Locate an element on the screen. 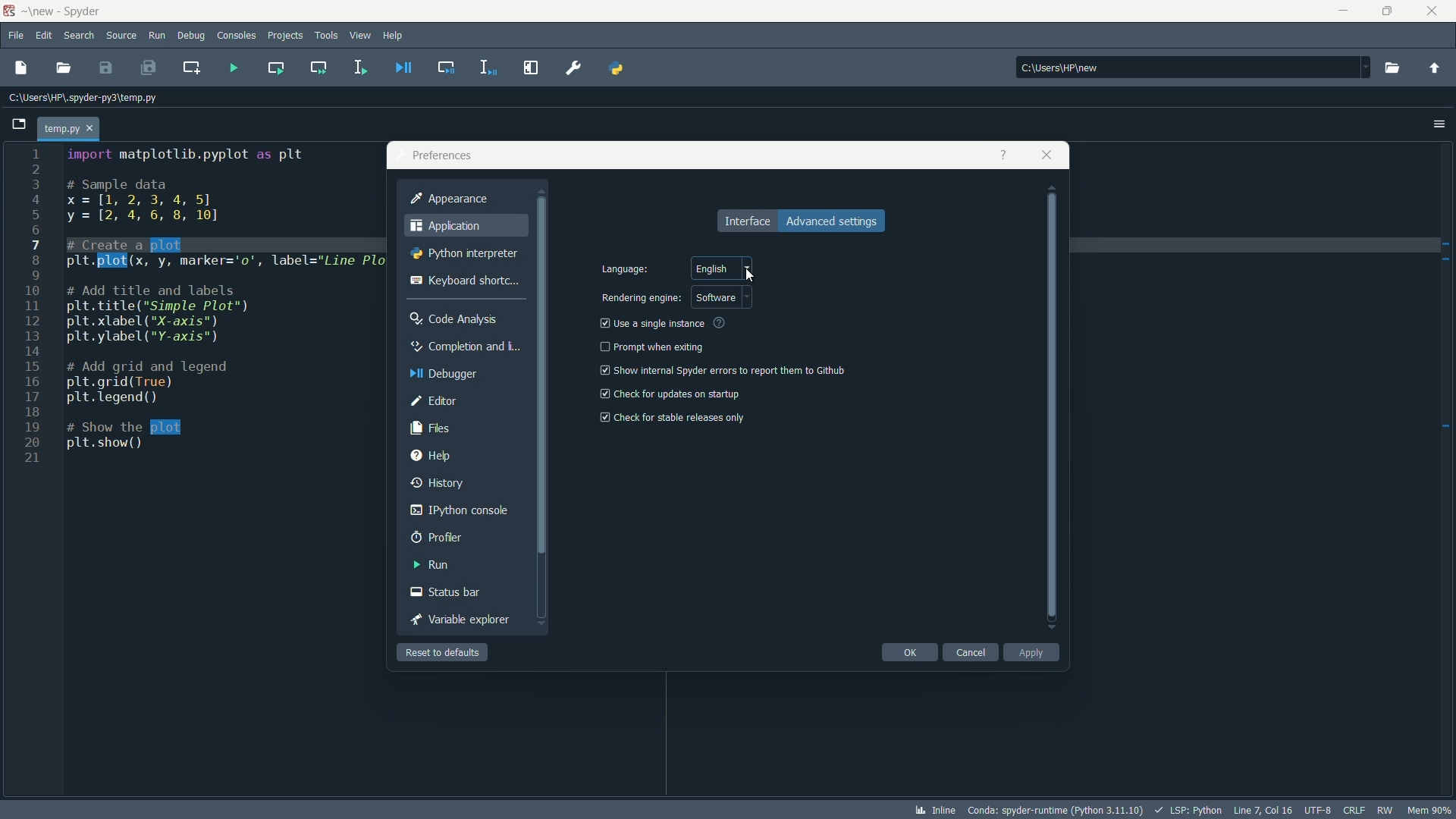 This screenshot has width=1456, height=819. see more info is located at coordinates (721, 322).